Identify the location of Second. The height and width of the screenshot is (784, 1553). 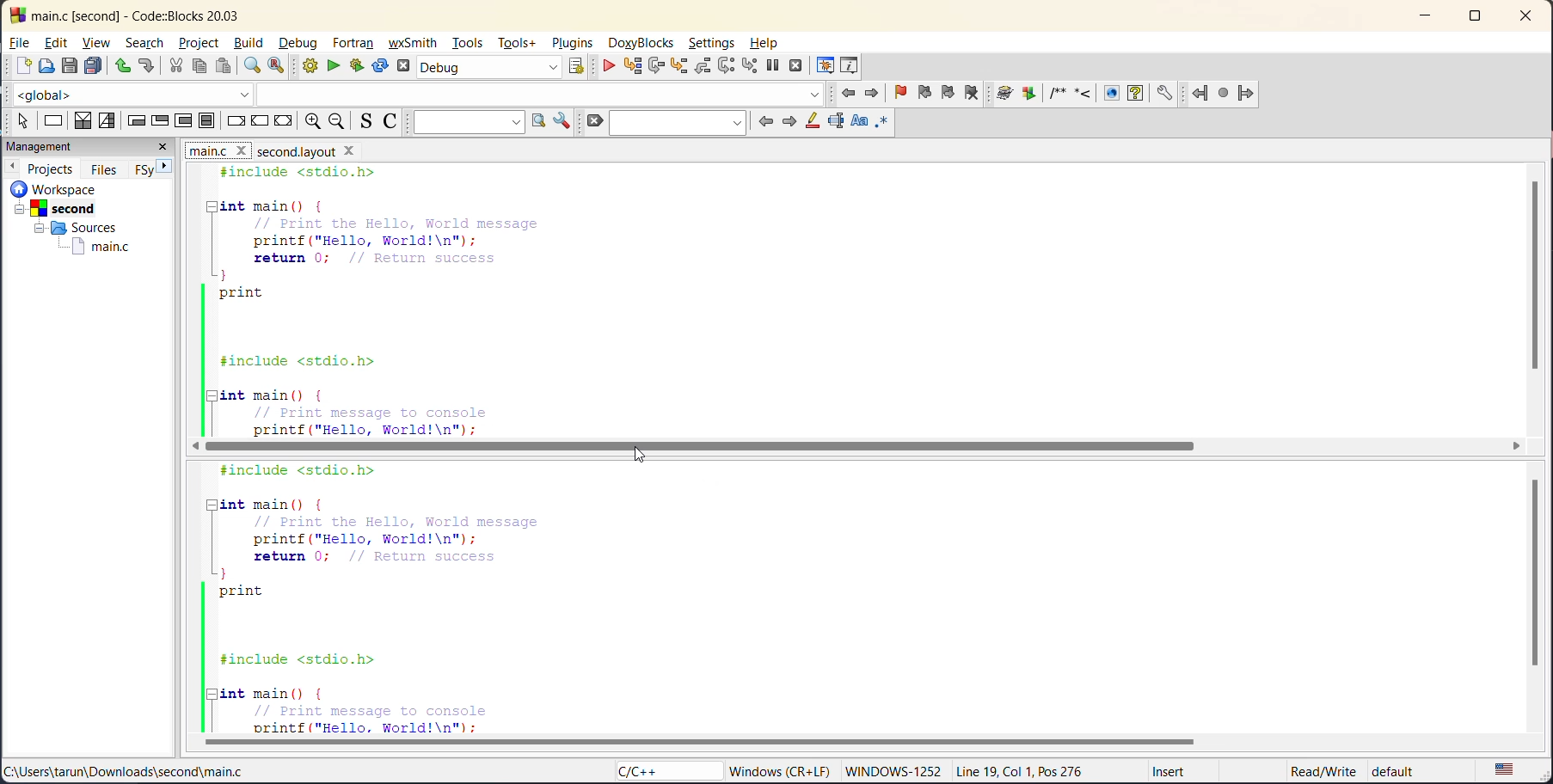
(66, 207).